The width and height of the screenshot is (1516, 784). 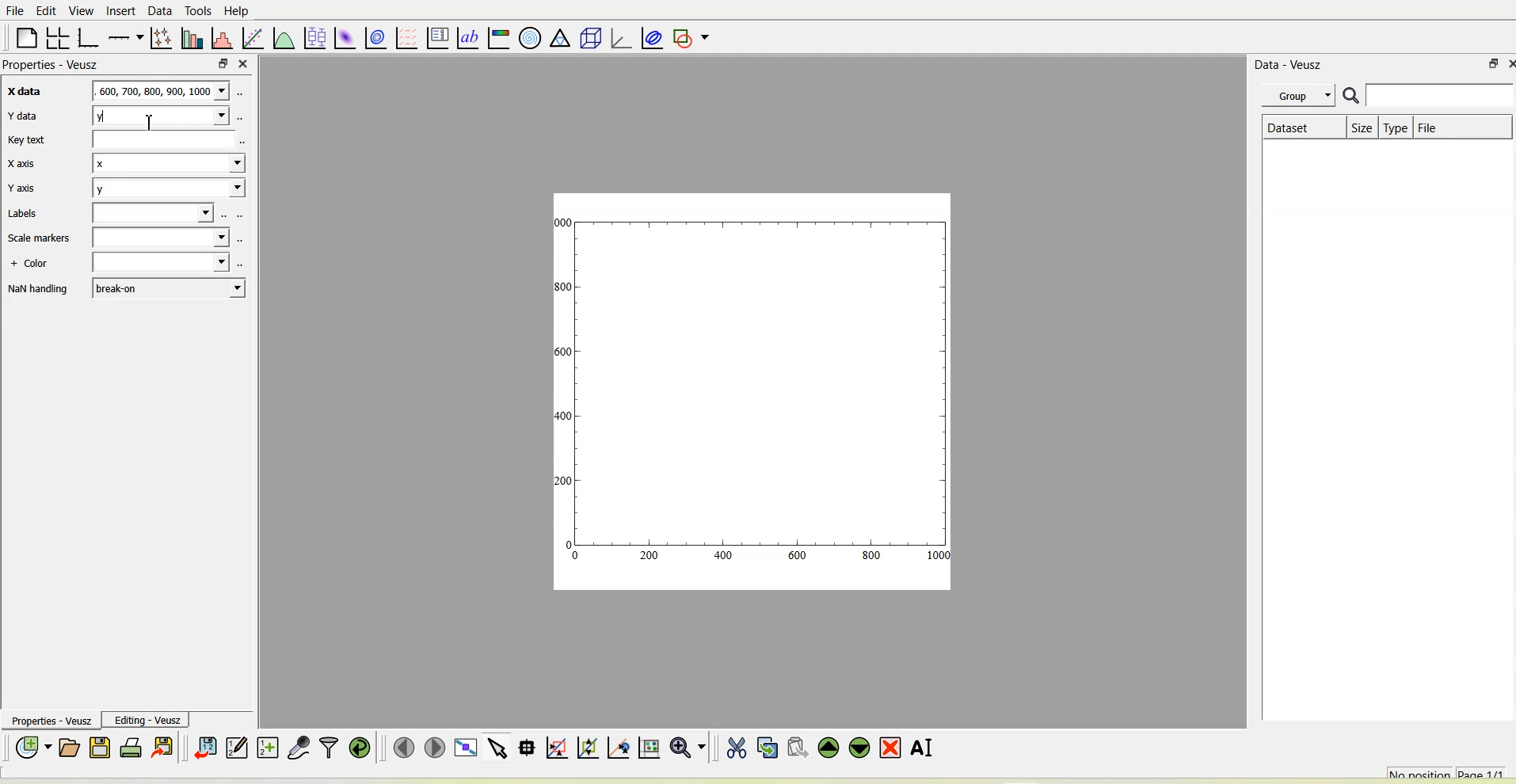 What do you see at coordinates (48, 720) in the screenshot?
I see `Properties - Veusz` at bounding box center [48, 720].